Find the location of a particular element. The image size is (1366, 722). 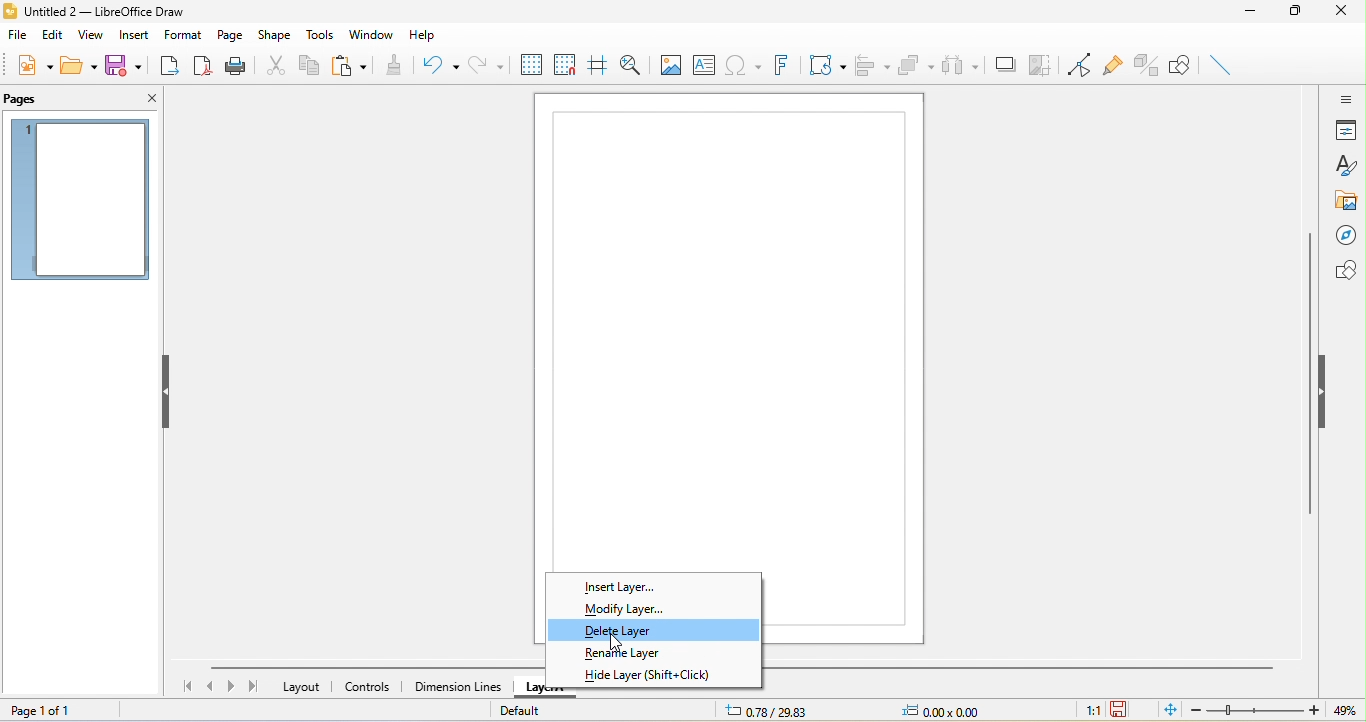

toggle point edit mode is located at coordinates (1078, 64).